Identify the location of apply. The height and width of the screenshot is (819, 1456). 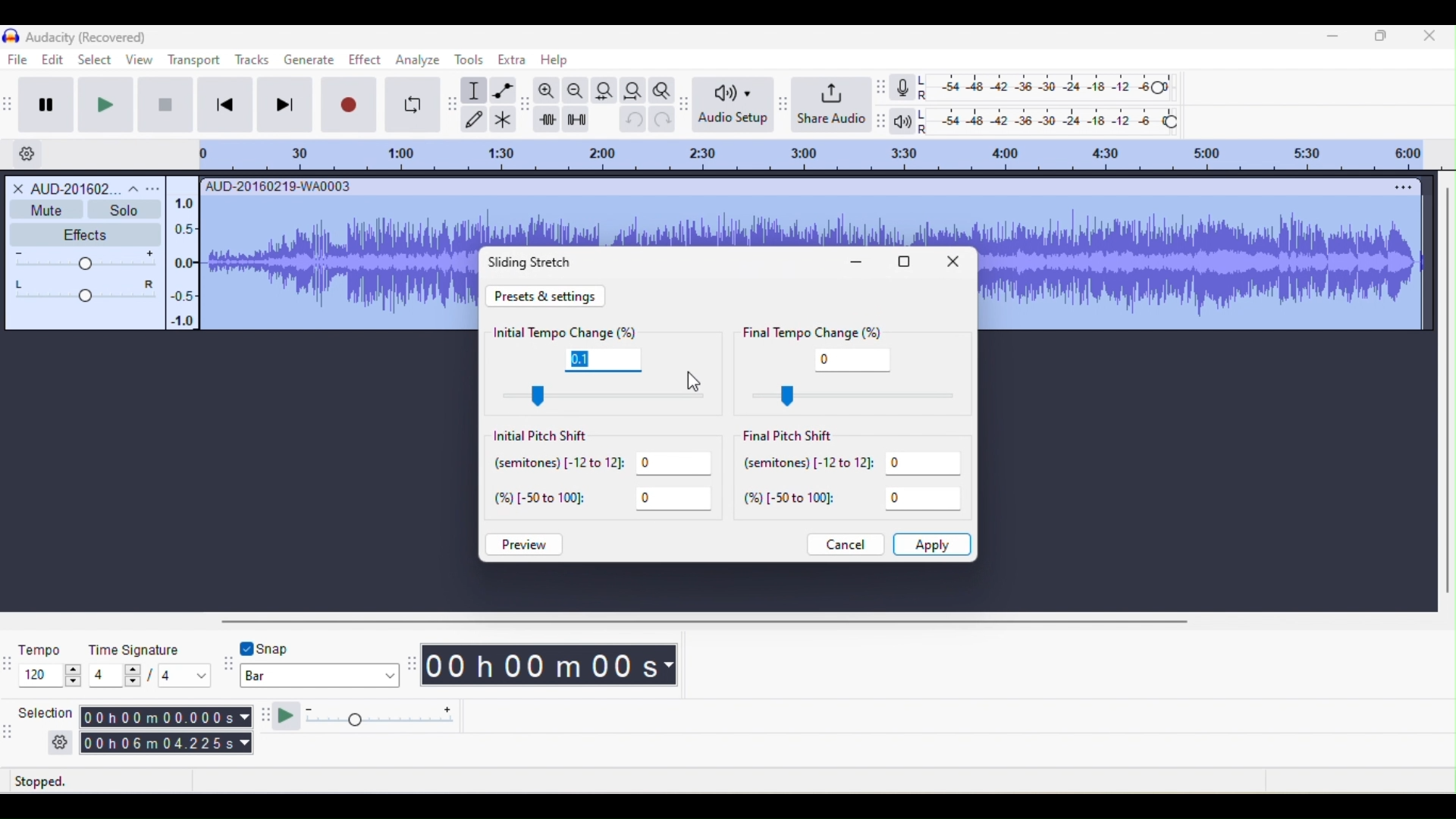
(934, 544).